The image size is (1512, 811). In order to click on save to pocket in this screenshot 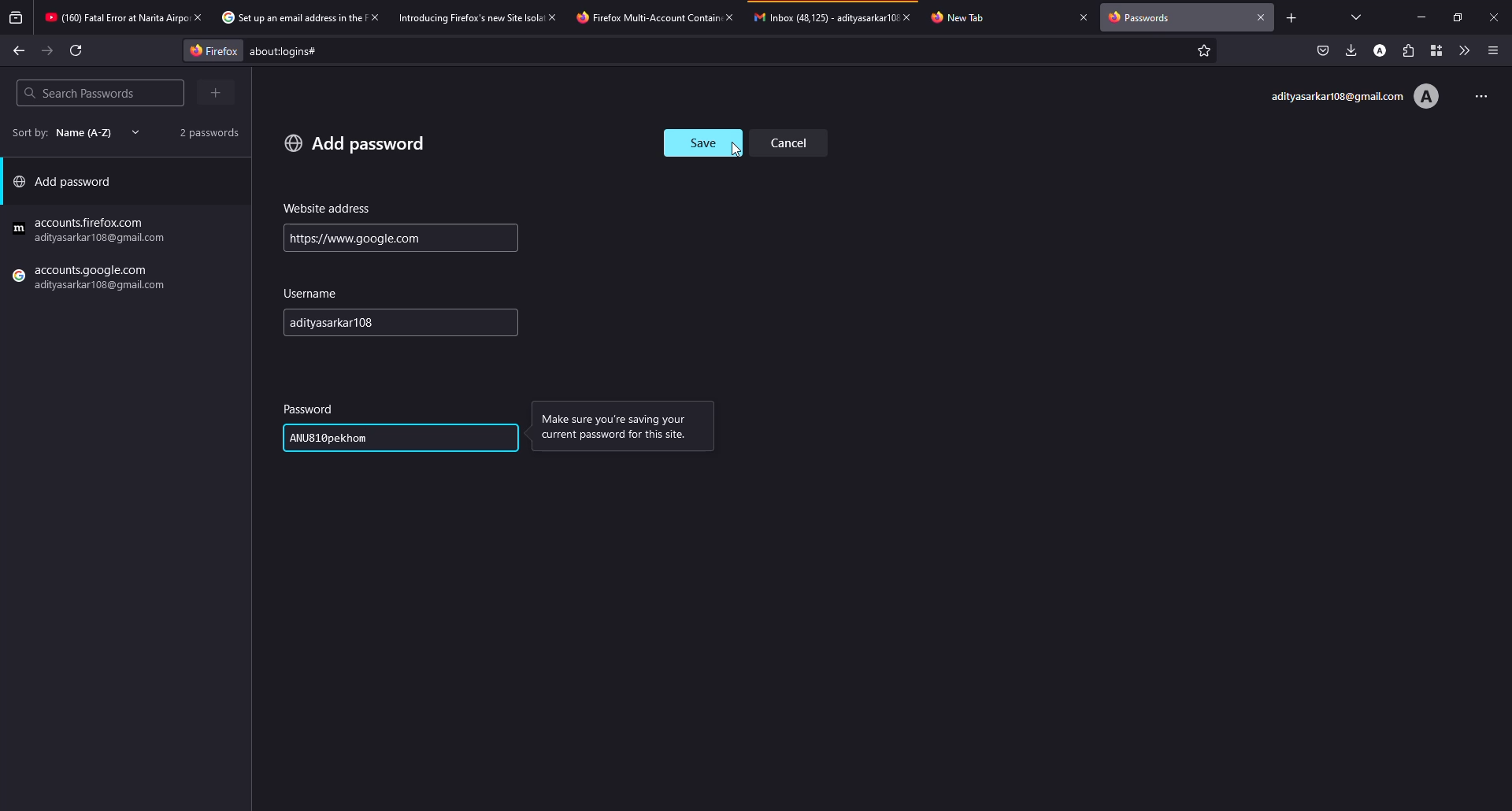, I will do `click(1323, 50)`.